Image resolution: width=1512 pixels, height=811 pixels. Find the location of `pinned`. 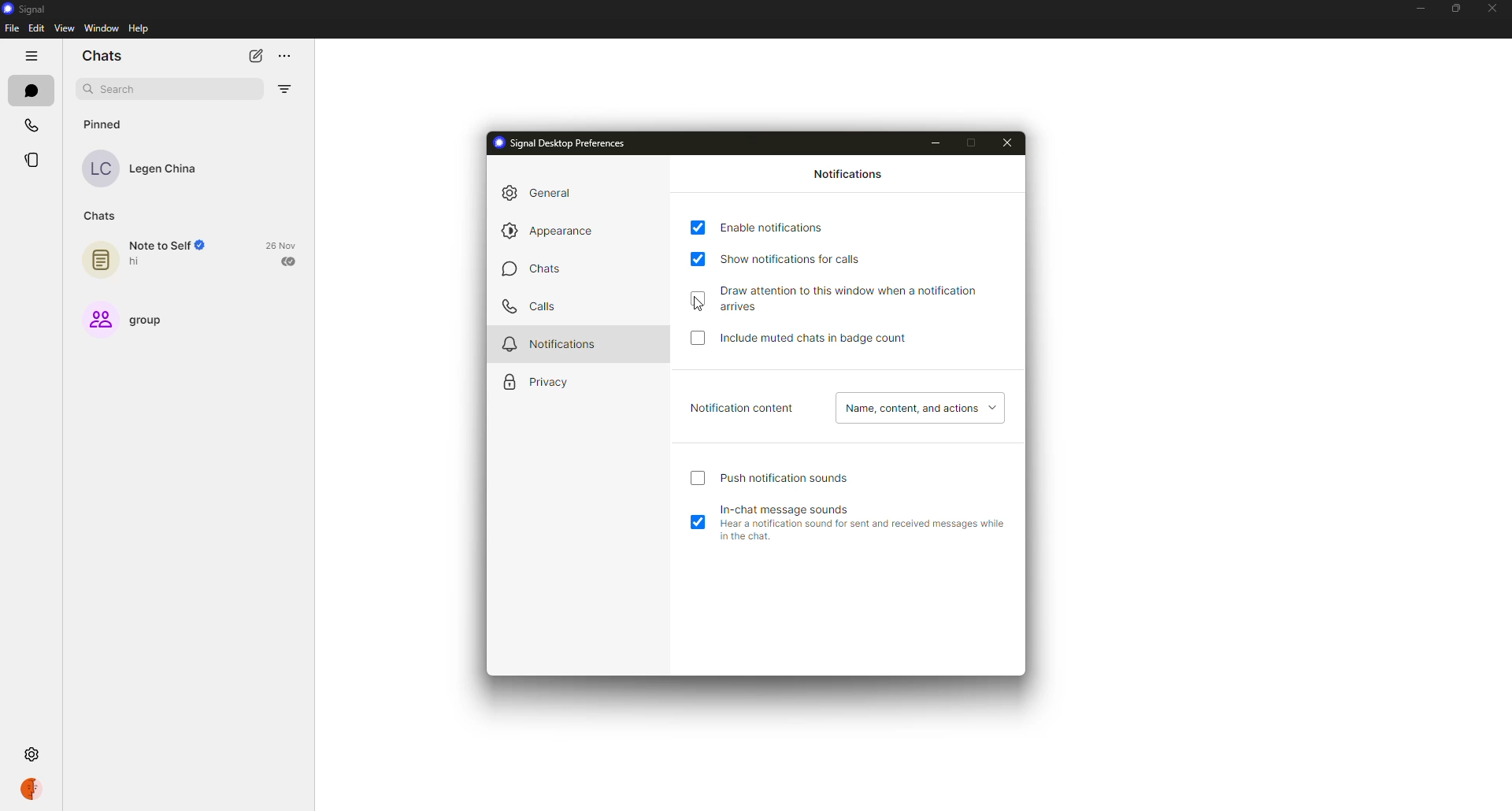

pinned is located at coordinates (107, 124).